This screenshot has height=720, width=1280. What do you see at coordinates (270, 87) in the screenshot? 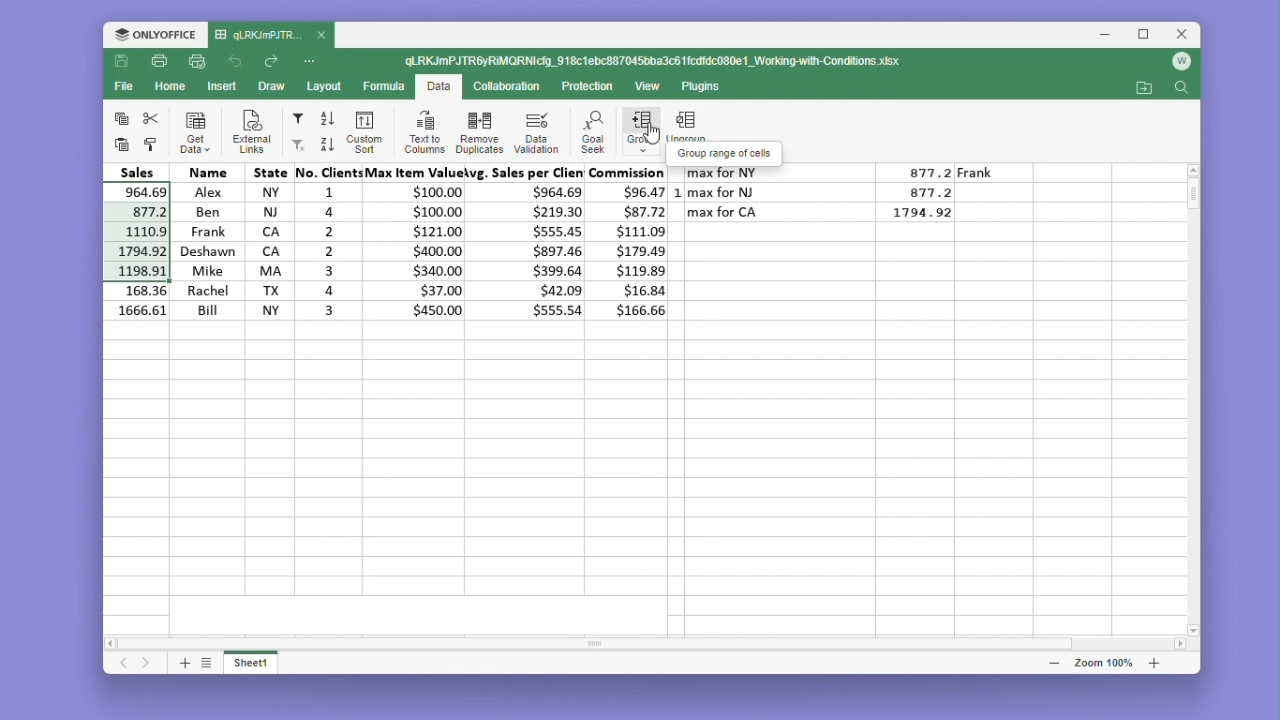
I see `Draw` at bounding box center [270, 87].